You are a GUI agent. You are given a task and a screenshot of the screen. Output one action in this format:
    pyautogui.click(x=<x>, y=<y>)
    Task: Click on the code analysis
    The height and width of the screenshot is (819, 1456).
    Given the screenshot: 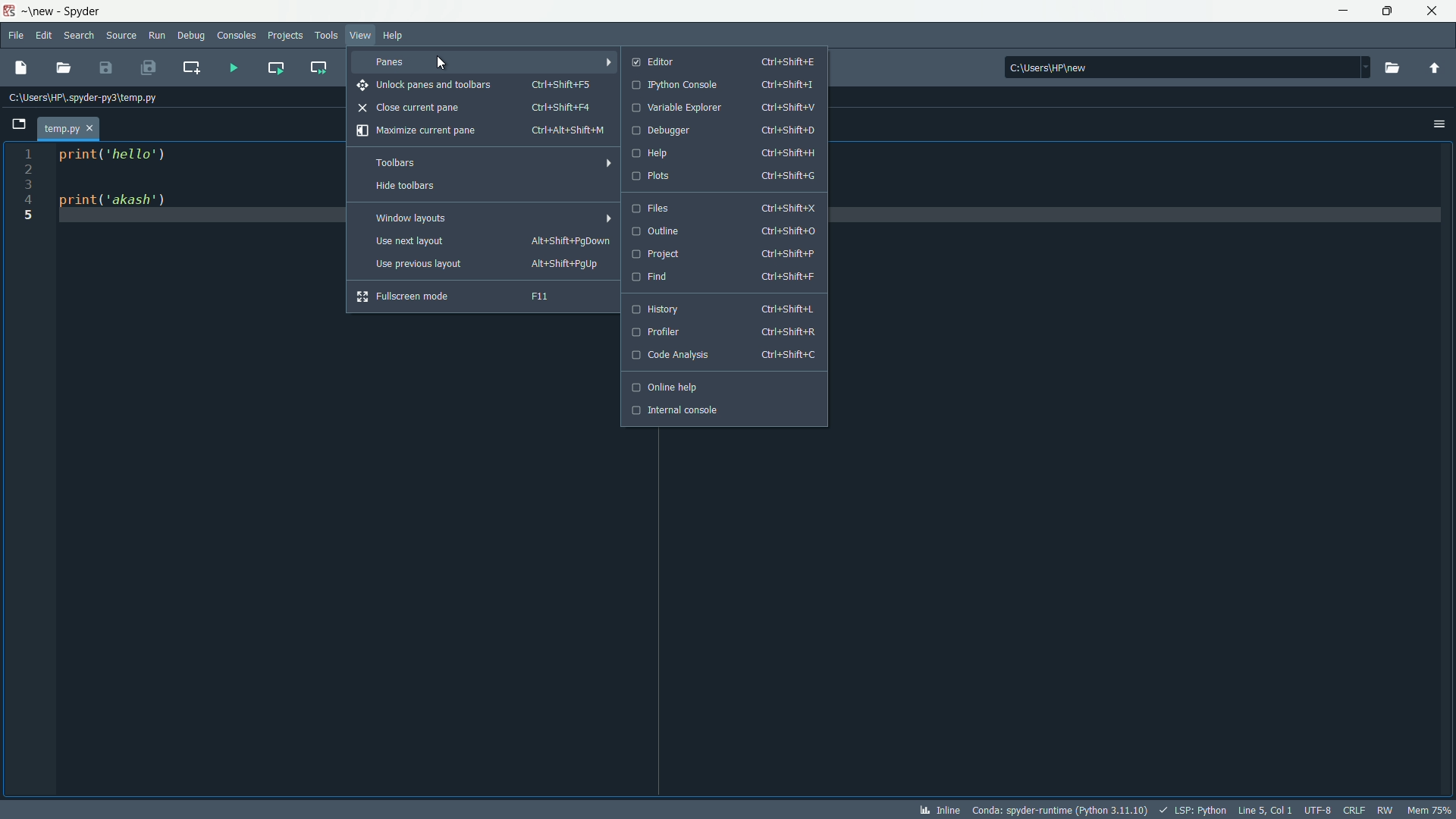 What is the action you would take?
    pyautogui.click(x=722, y=356)
    